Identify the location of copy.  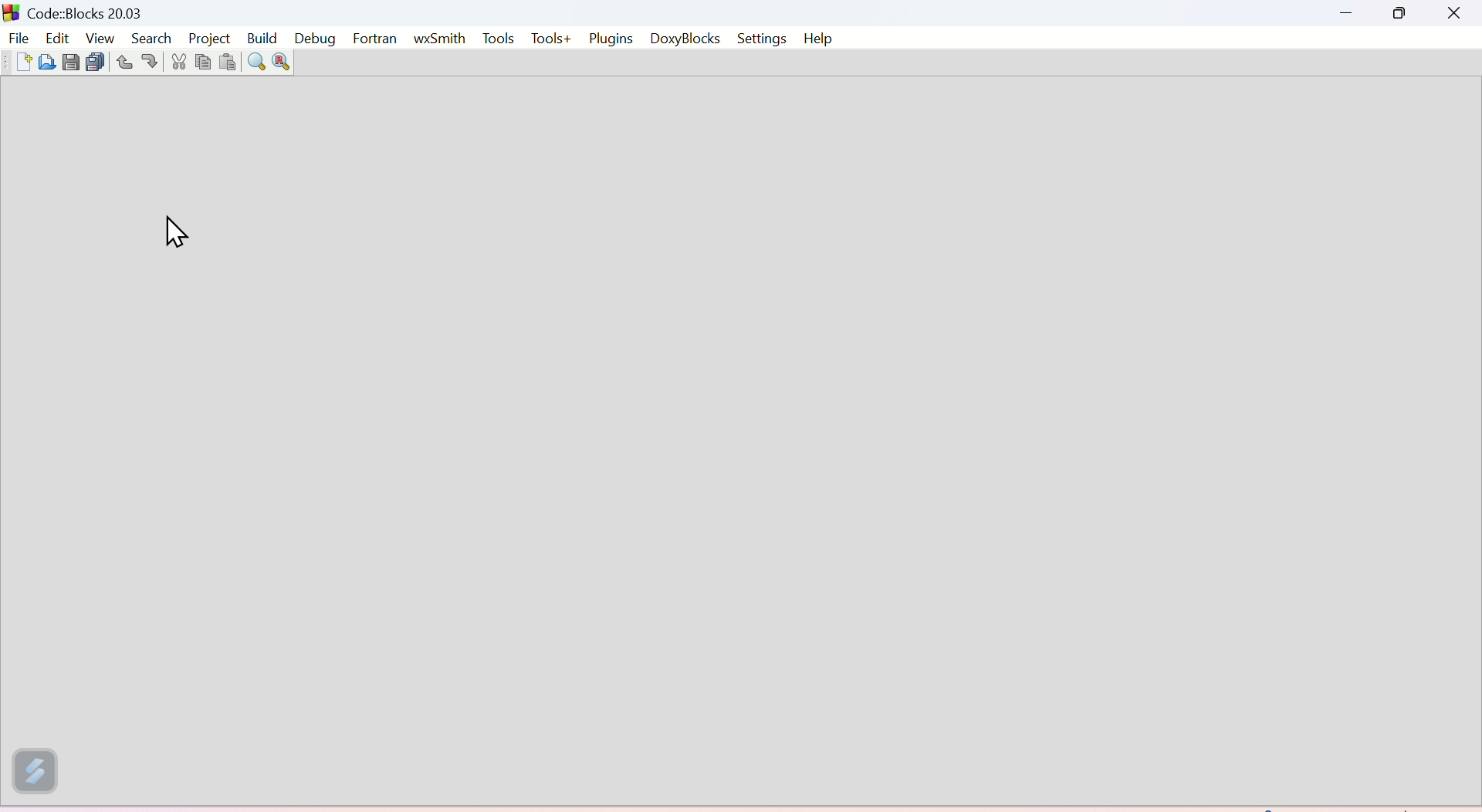
(205, 66).